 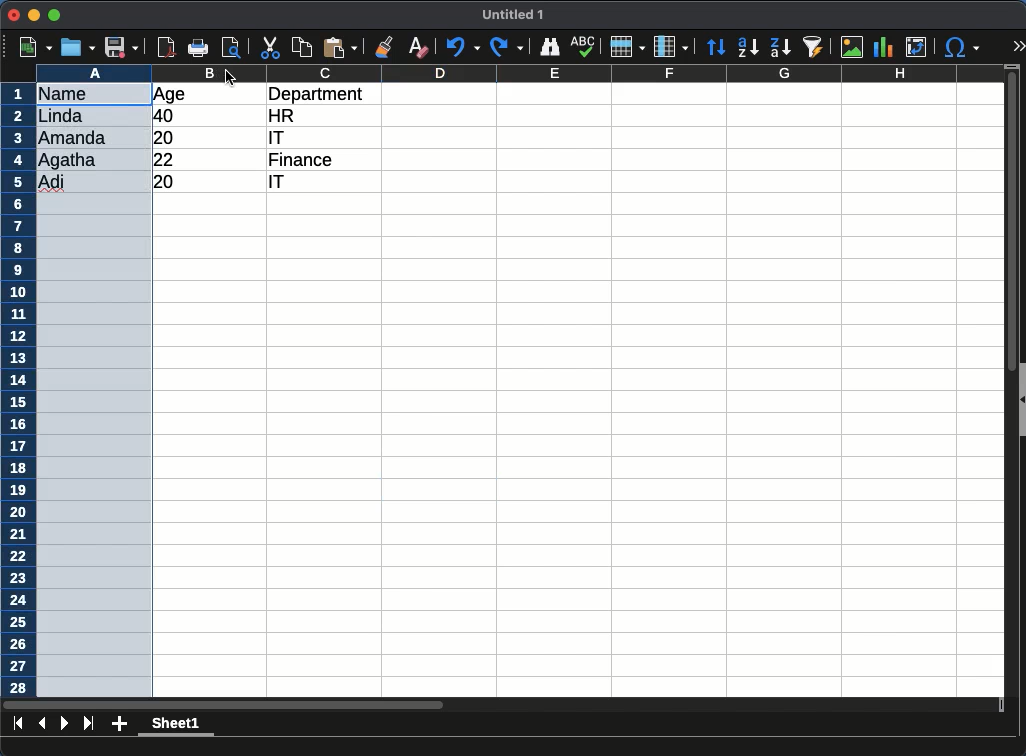 I want to click on expand, so click(x=1018, y=48).